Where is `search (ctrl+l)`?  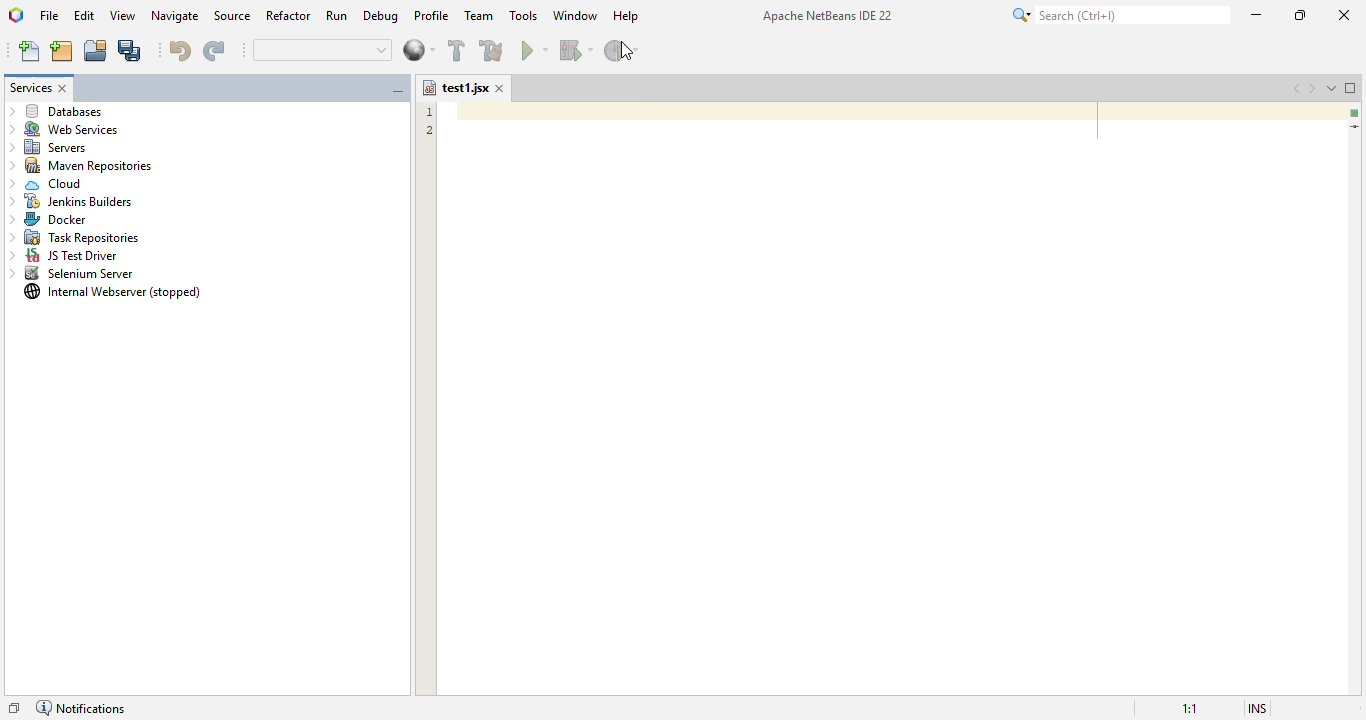
search (ctrl+l) is located at coordinates (1118, 15).